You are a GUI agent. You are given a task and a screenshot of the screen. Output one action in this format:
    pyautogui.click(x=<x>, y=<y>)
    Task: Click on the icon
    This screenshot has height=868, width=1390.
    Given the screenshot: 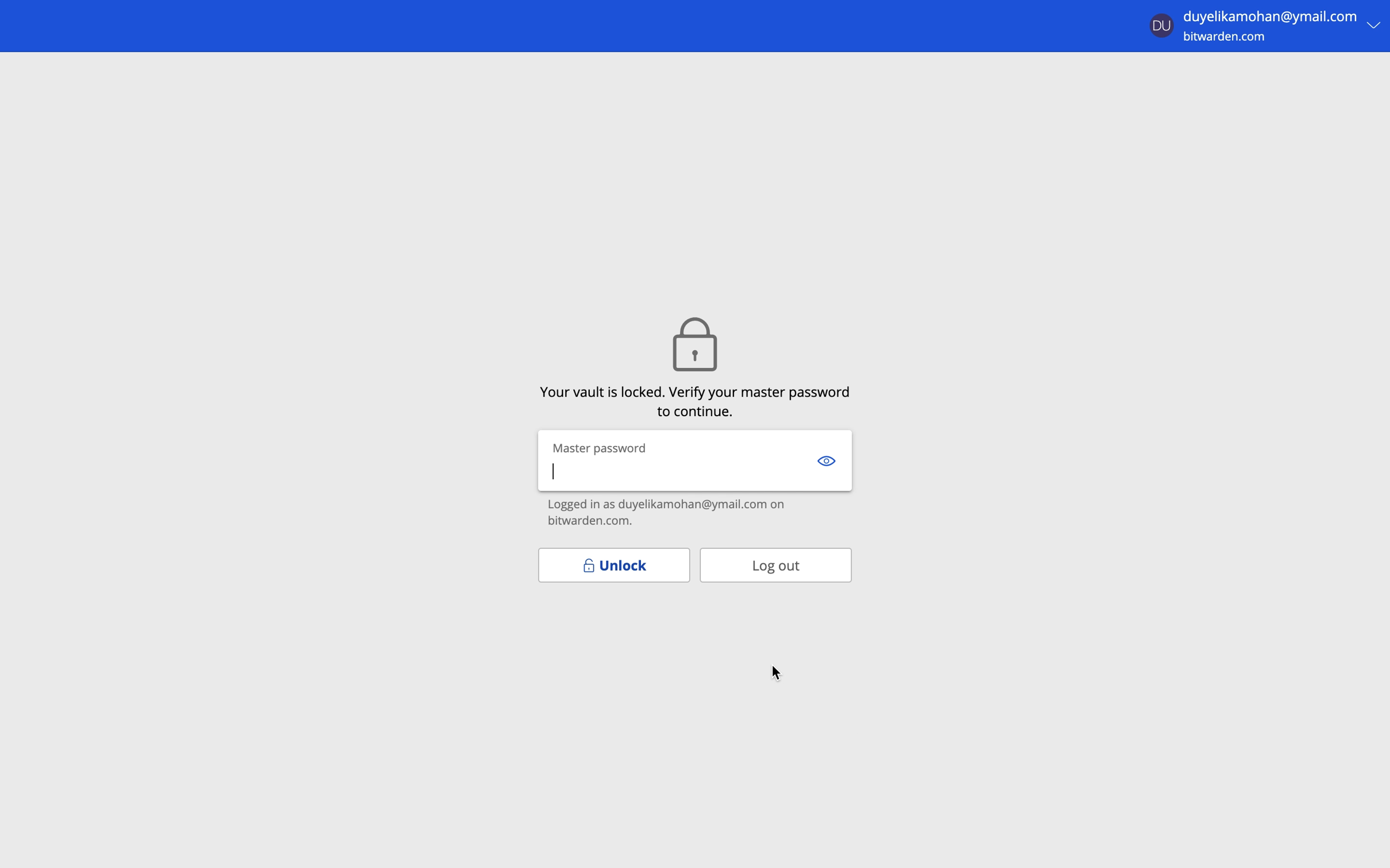 What is the action you would take?
    pyautogui.click(x=693, y=342)
    